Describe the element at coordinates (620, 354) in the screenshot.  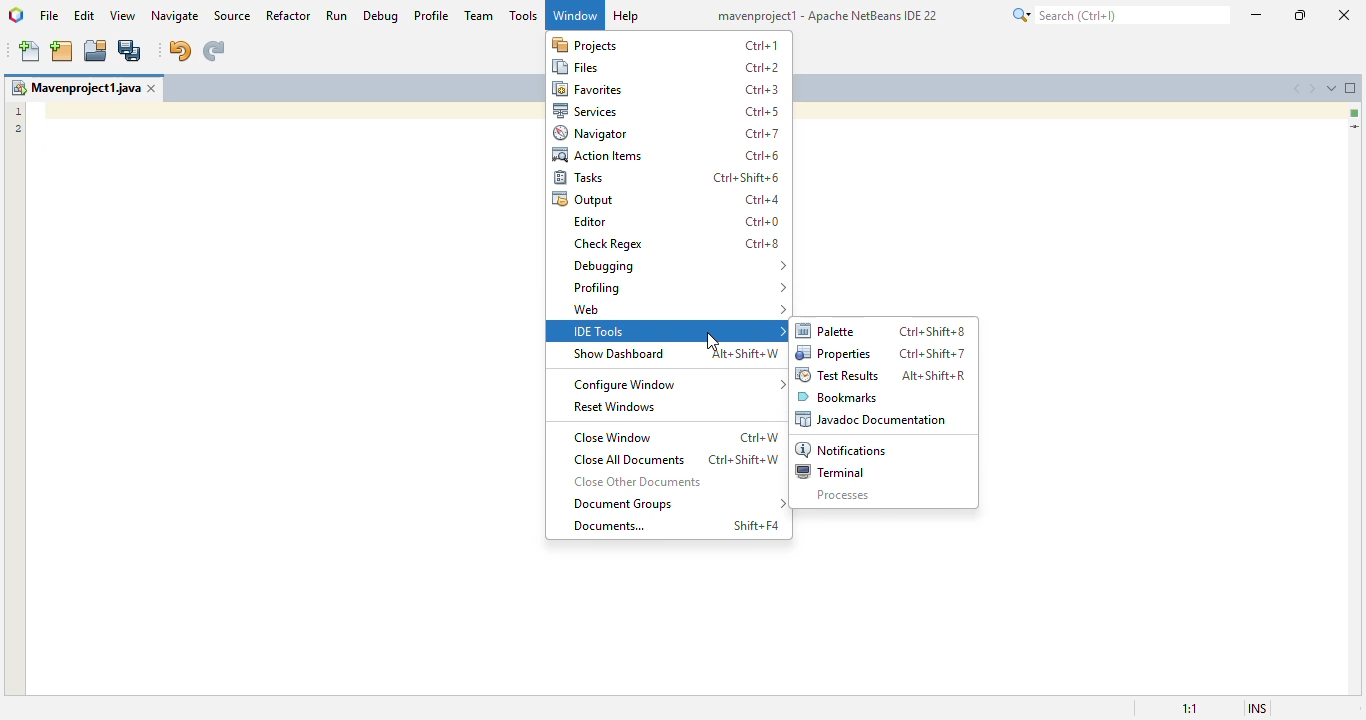
I see `show dashboard` at that location.